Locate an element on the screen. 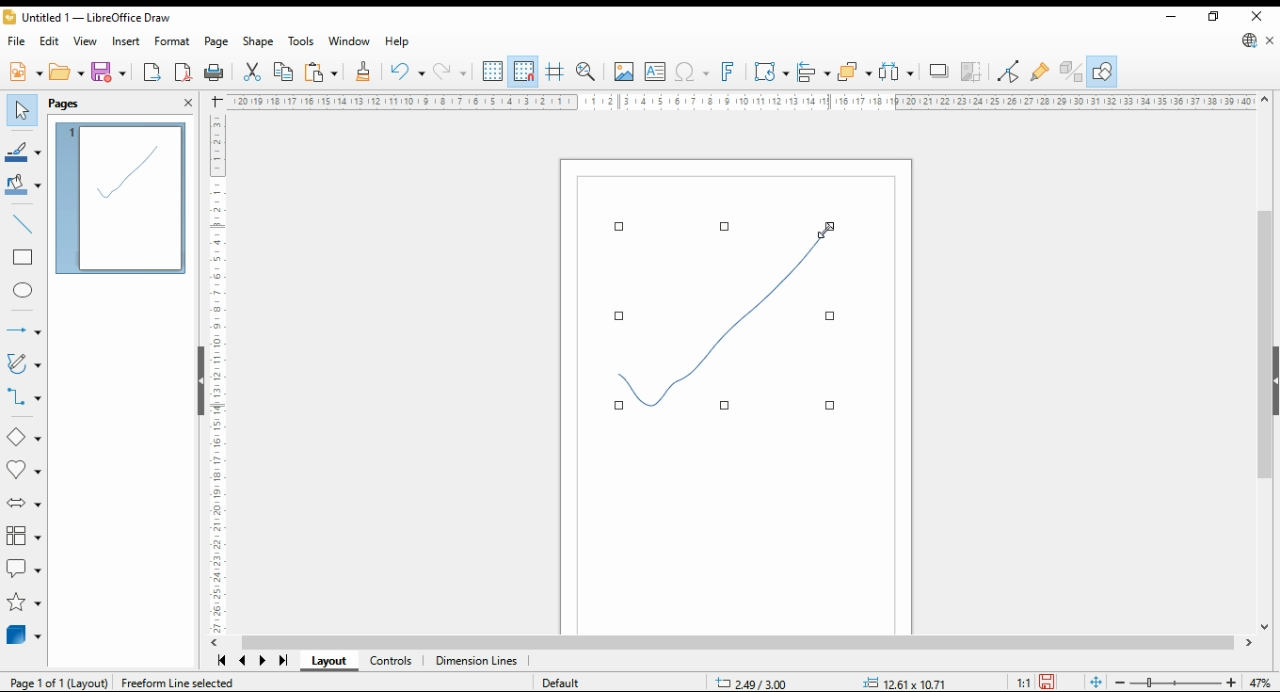 This screenshot has height=692, width=1280. ellipse is located at coordinates (22, 292).